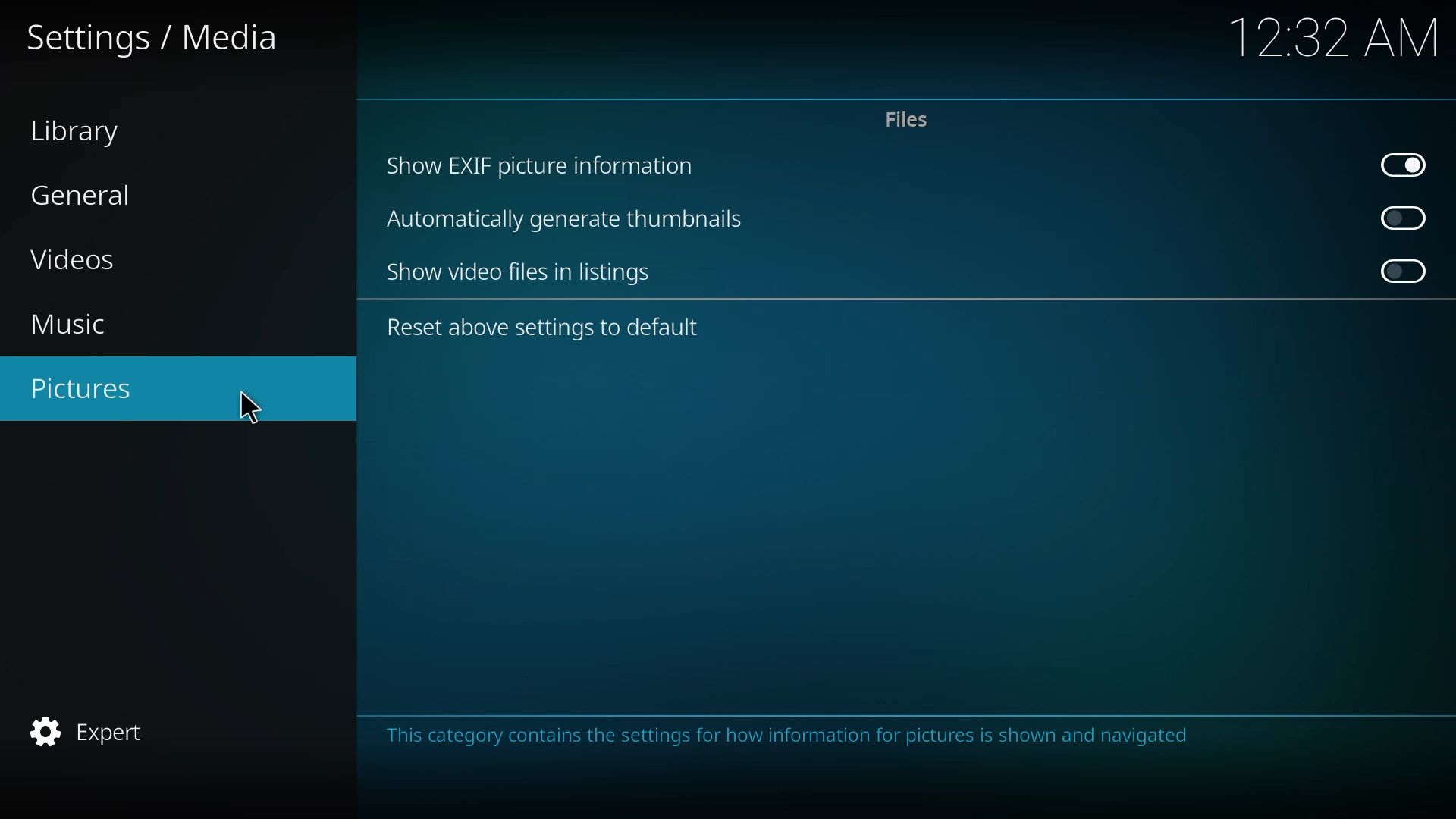 This screenshot has width=1456, height=819. I want to click on music, so click(85, 324).